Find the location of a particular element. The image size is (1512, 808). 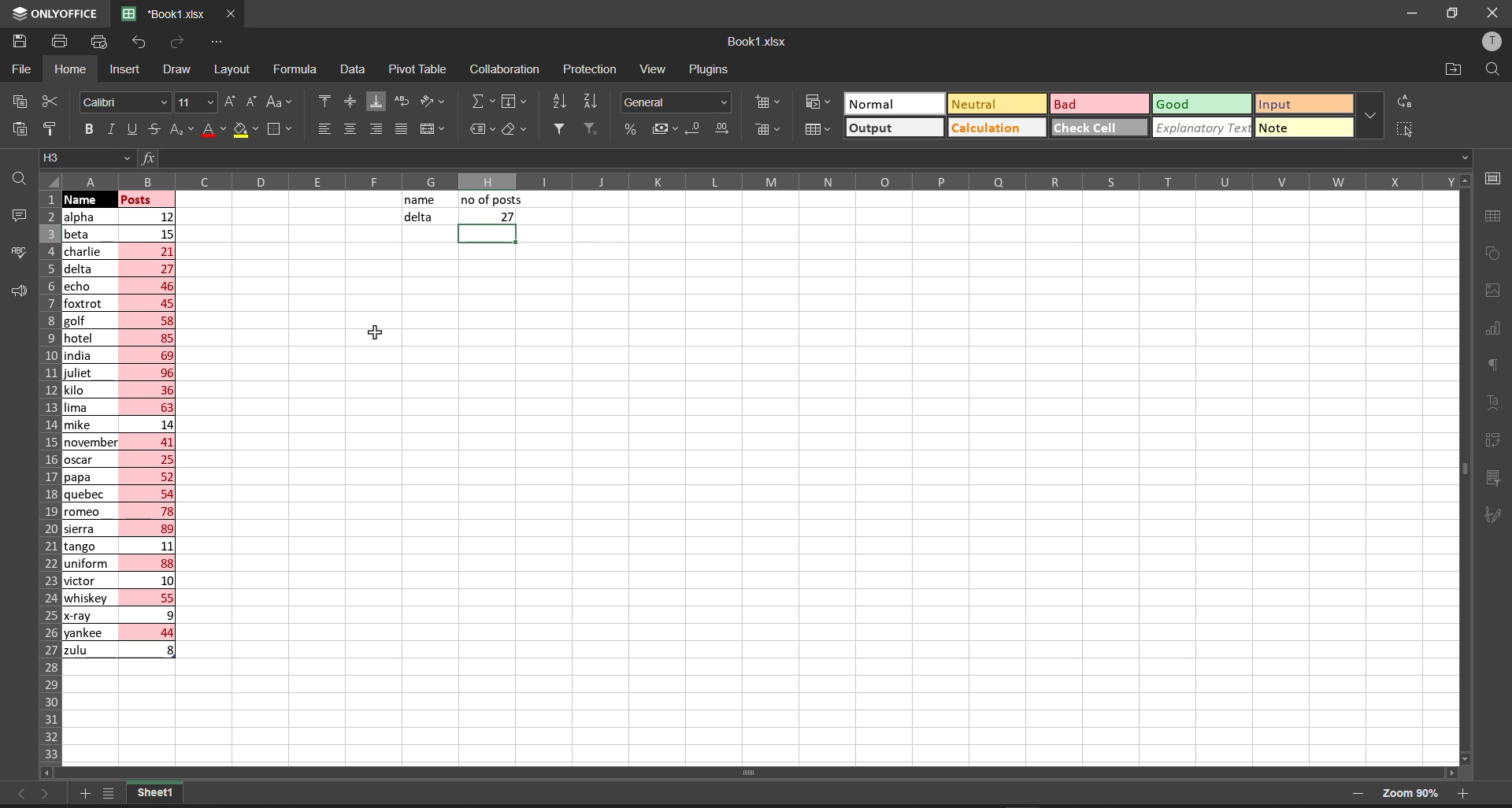

scroll left is located at coordinates (52, 773).